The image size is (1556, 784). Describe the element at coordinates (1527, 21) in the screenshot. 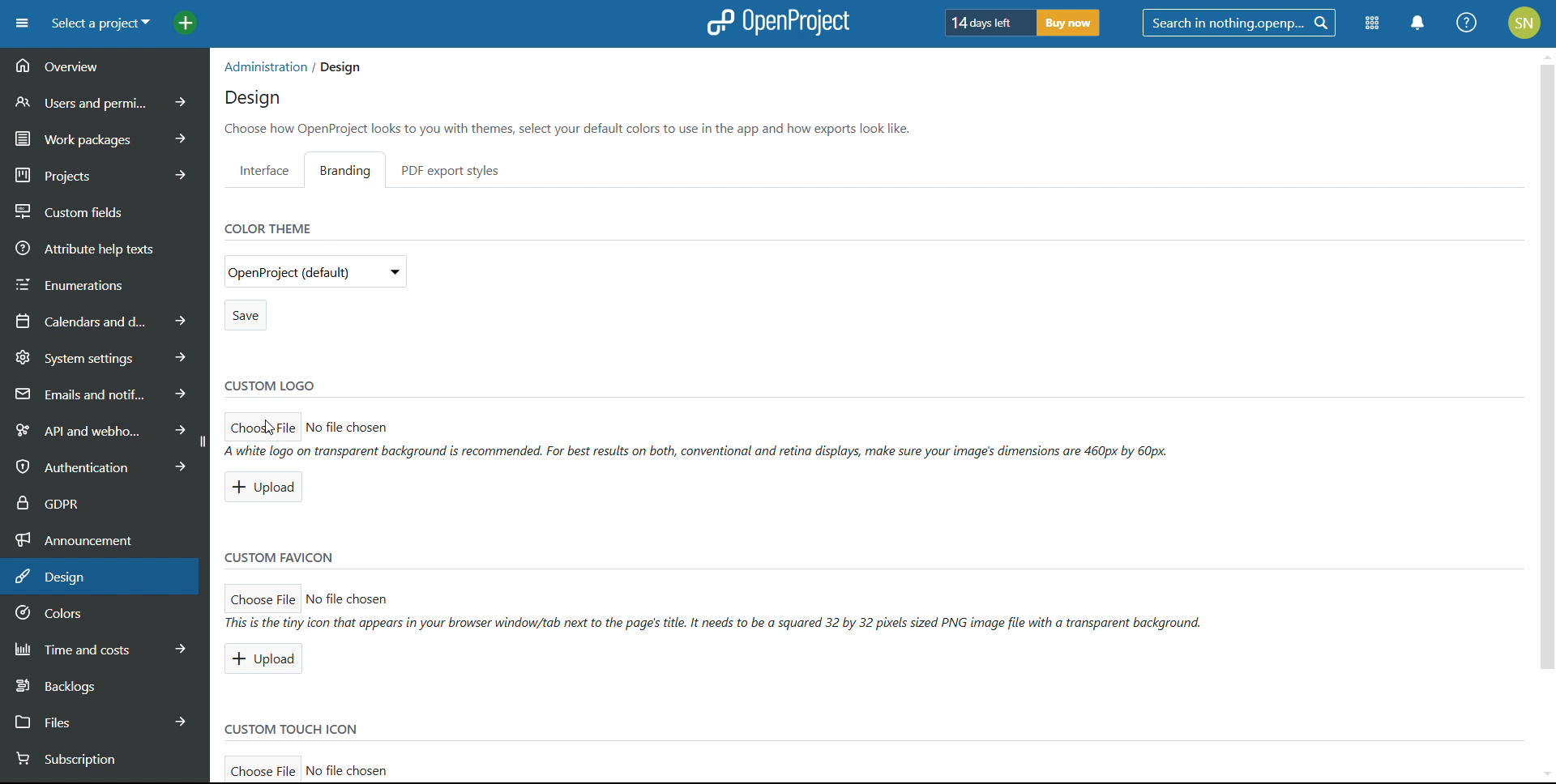

I see `SN` at that location.